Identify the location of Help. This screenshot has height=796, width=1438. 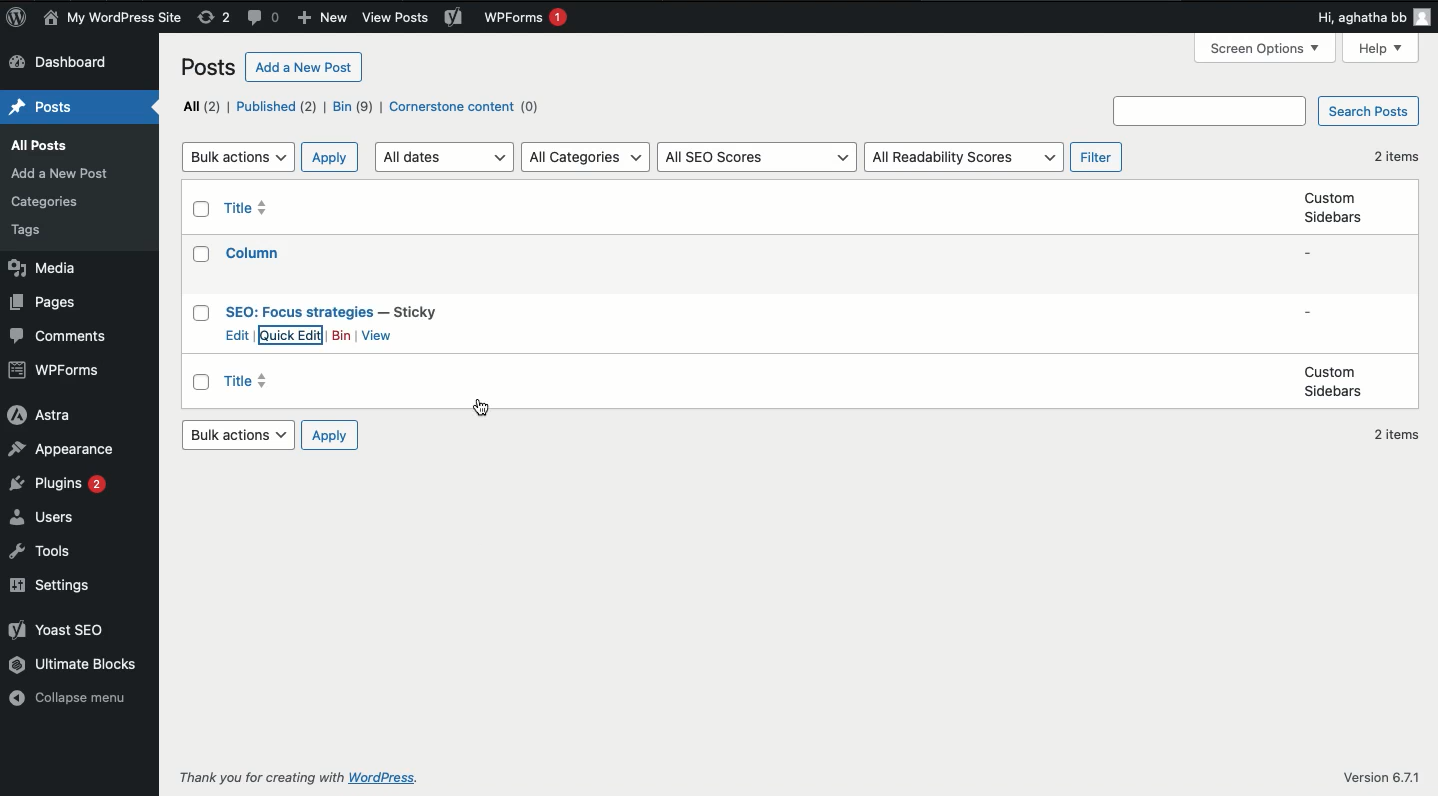
(1382, 50).